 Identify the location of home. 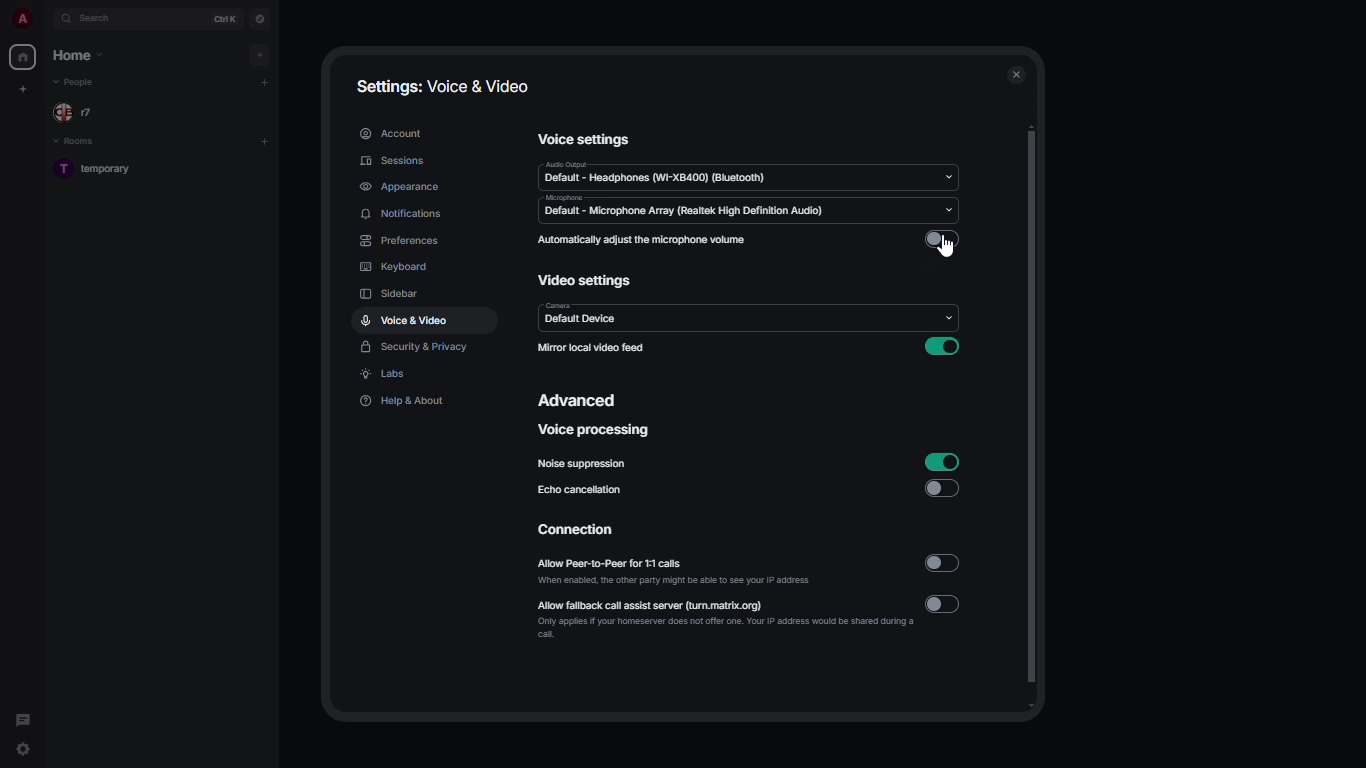
(24, 58).